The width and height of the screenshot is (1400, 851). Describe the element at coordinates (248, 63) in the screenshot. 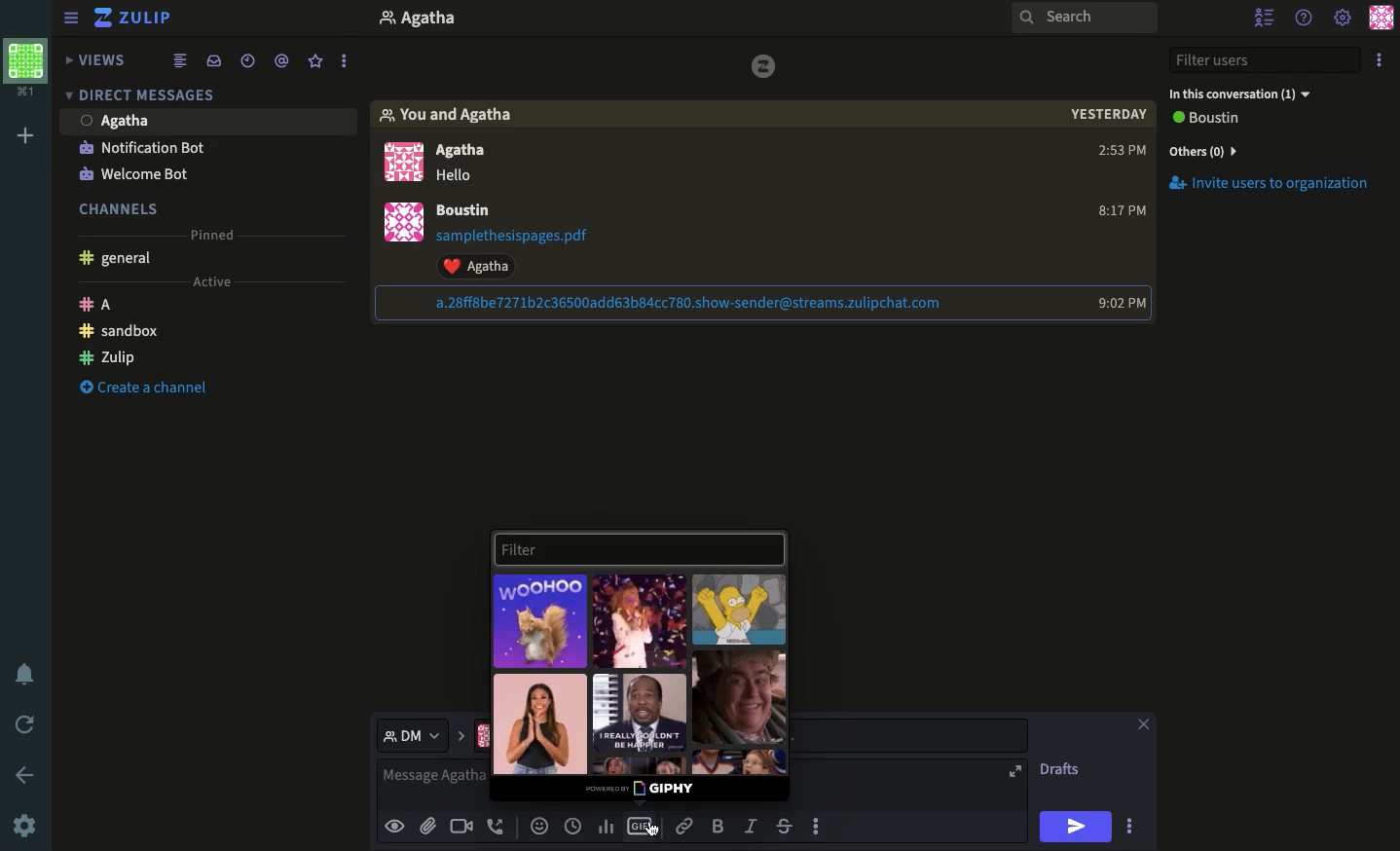

I see `Global time` at that location.